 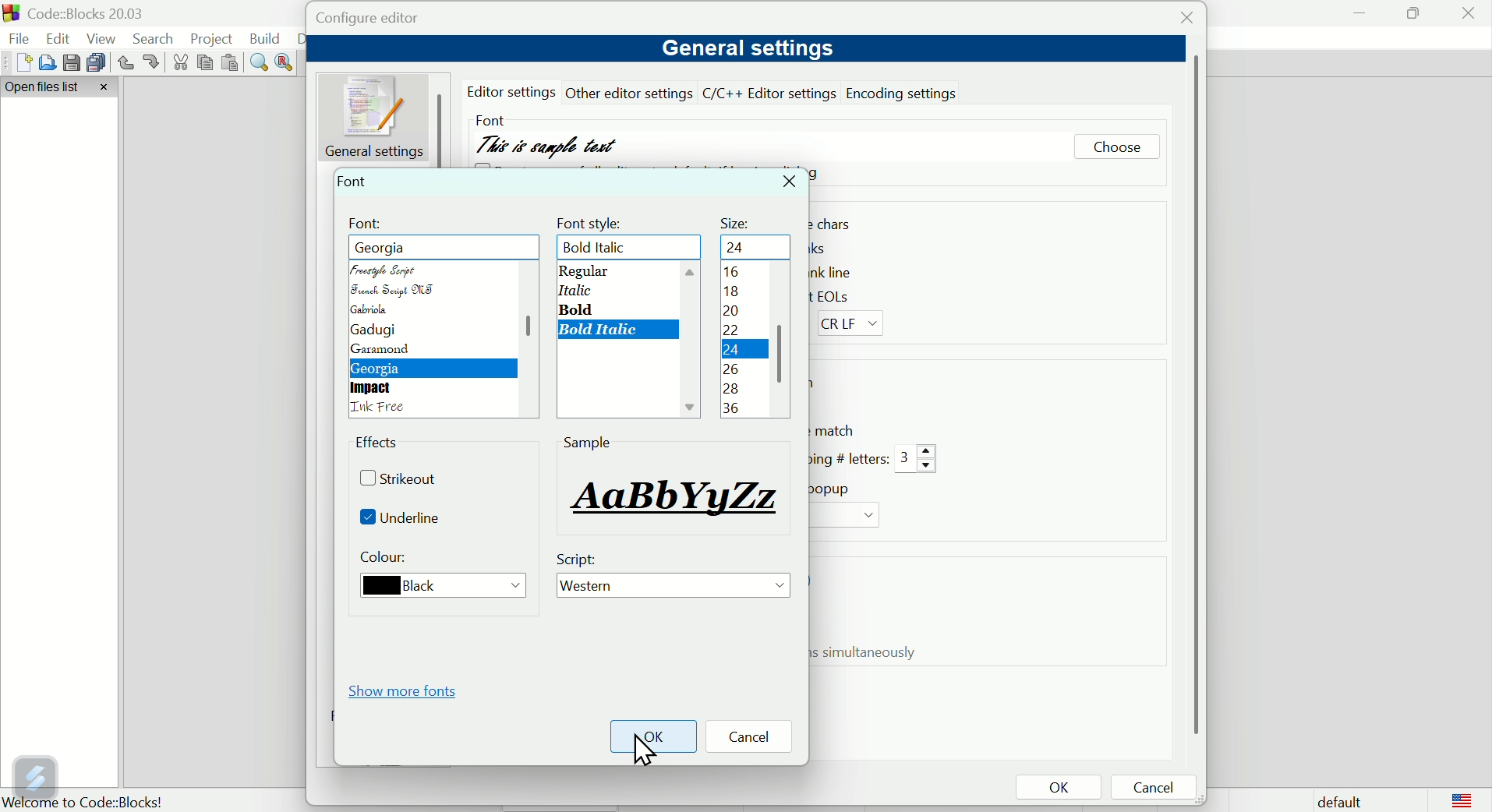 What do you see at coordinates (588, 442) in the screenshot?
I see `sample` at bounding box center [588, 442].